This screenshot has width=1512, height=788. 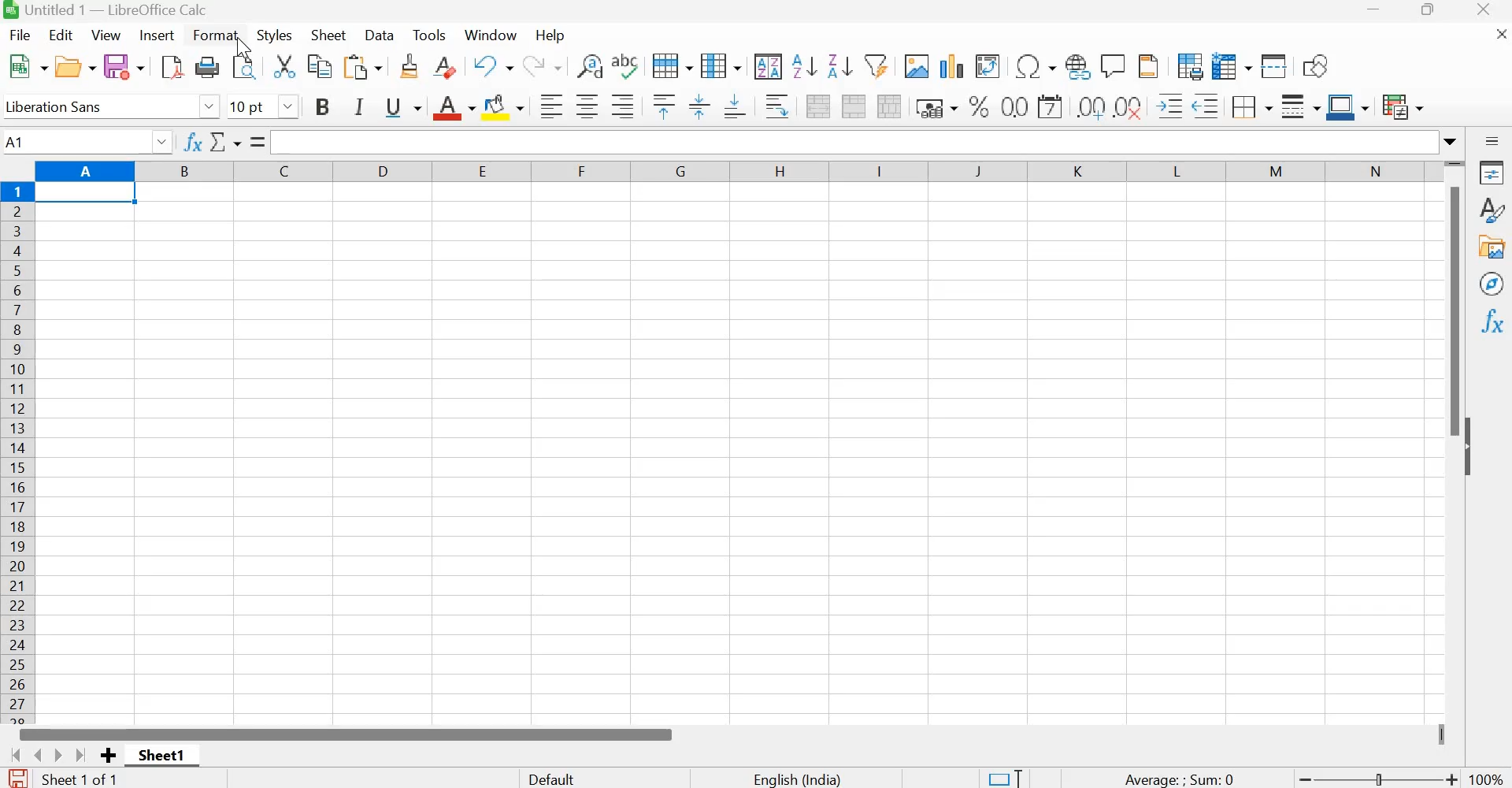 What do you see at coordinates (429, 35) in the screenshot?
I see `Tools` at bounding box center [429, 35].